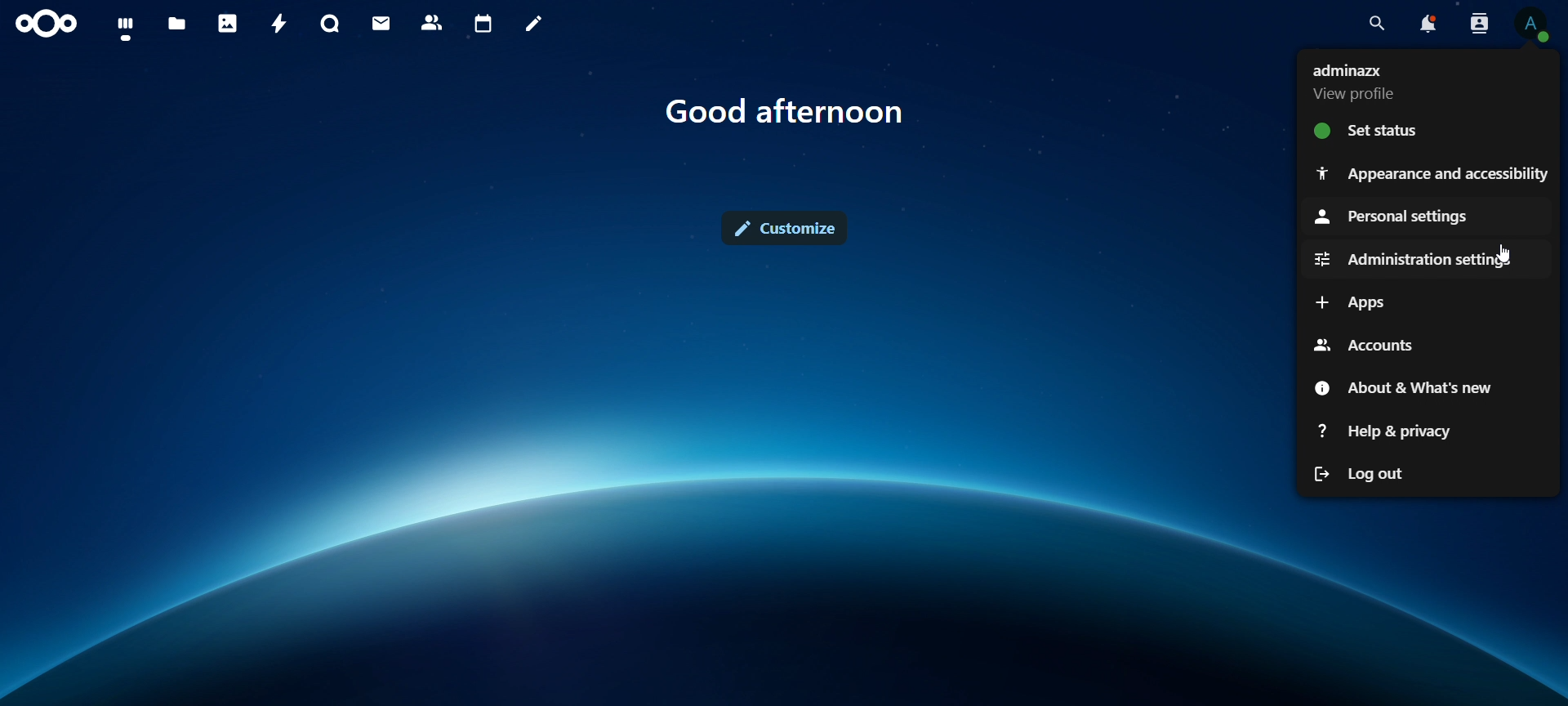 Image resolution: width=1568 pixels, height=706 pixels. I want to click on administration settings, so click(1413, 258).